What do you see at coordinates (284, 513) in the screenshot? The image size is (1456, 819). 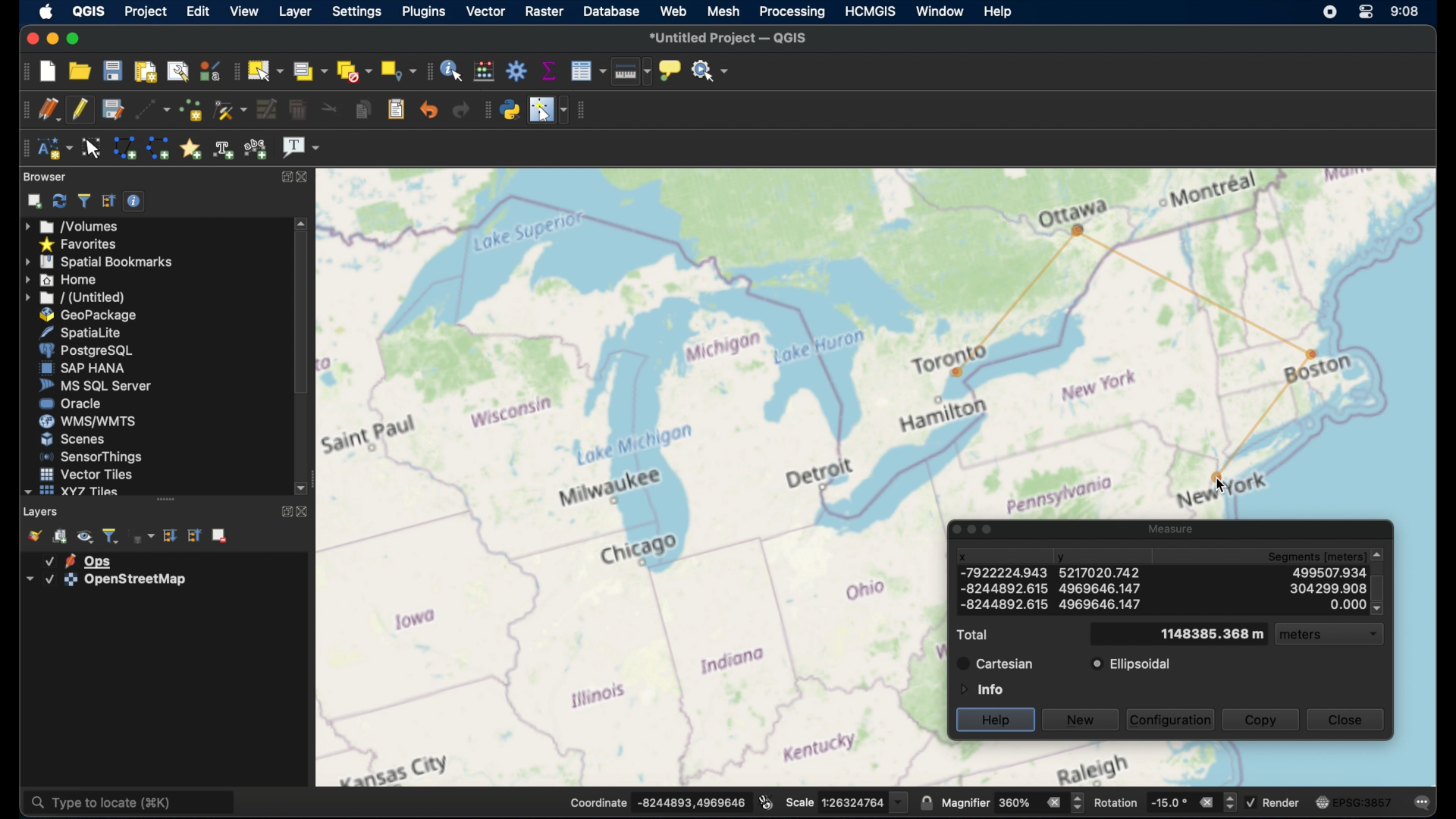 I see `maximize` at bounding box center [284, 513].